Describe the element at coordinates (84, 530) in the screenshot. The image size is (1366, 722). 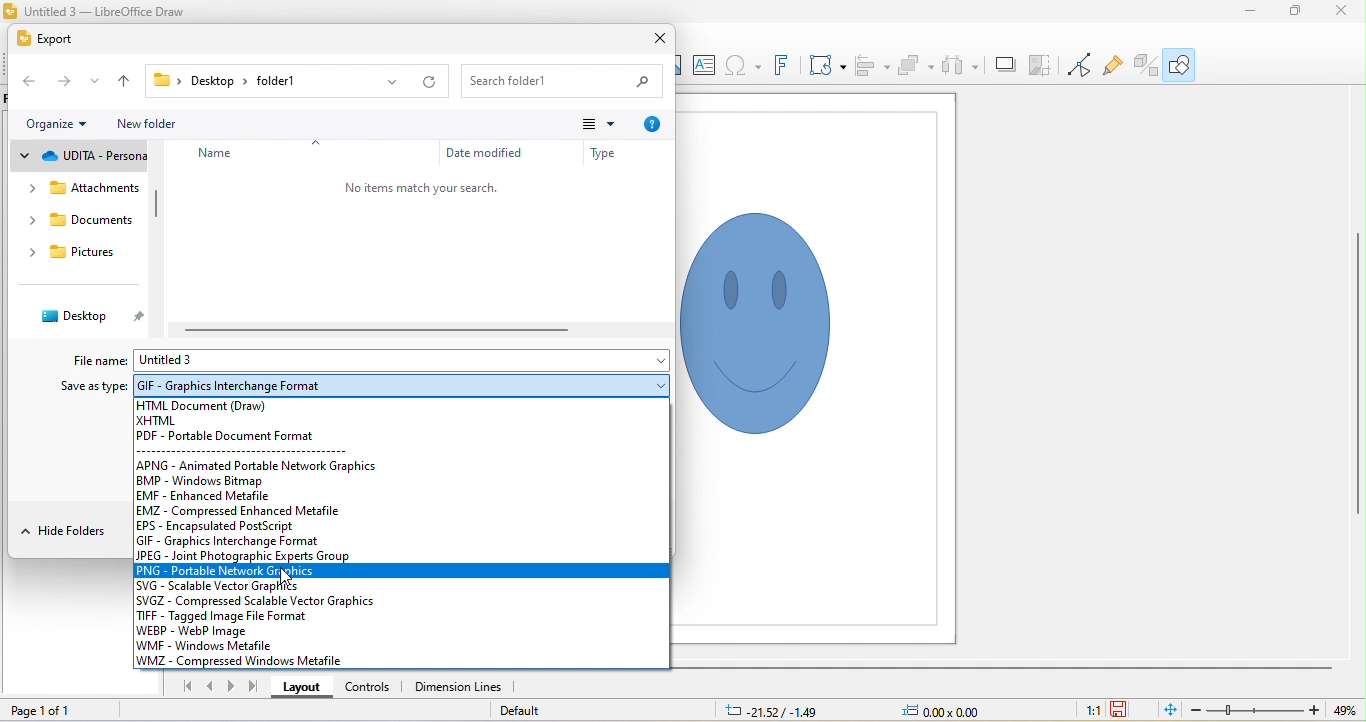
I see `hide folders` at that location.